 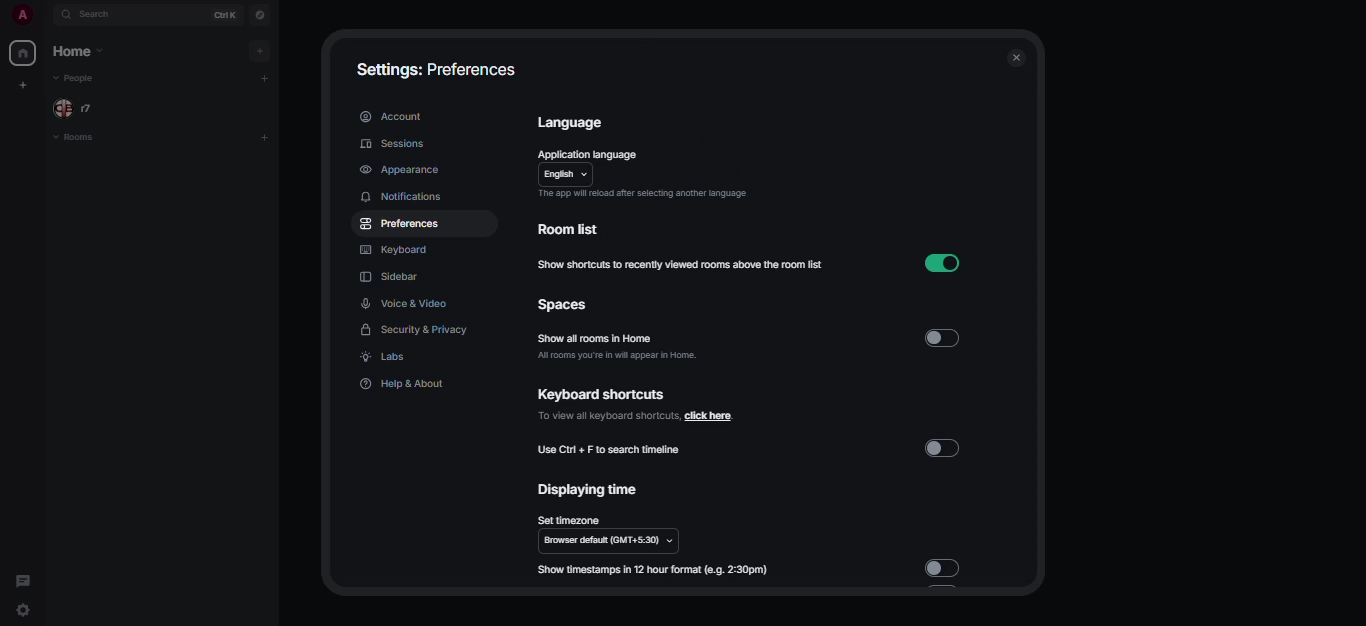 What do you see at coordinates (419, 329) in the screenshot?
I see `security & privacy` at bounding box center [419, 329].